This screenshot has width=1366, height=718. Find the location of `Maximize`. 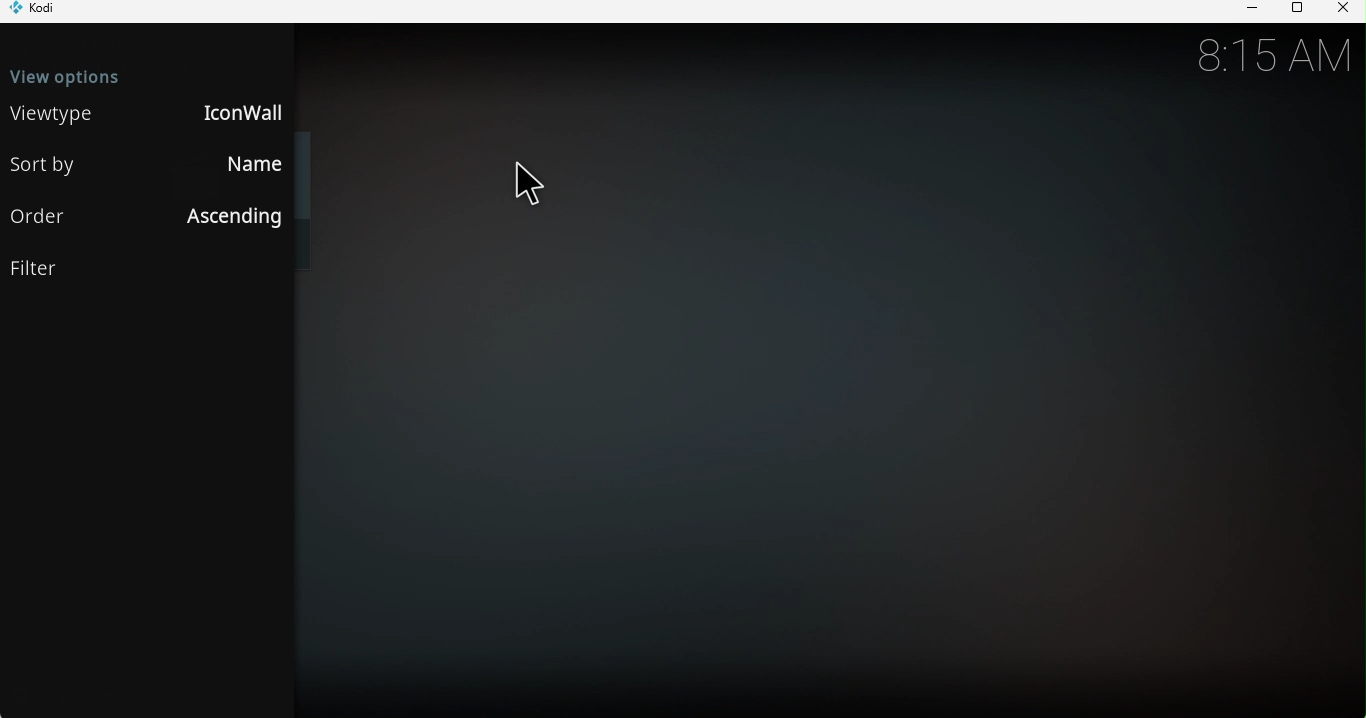

Maximize is located at coordinates (1294, 11).